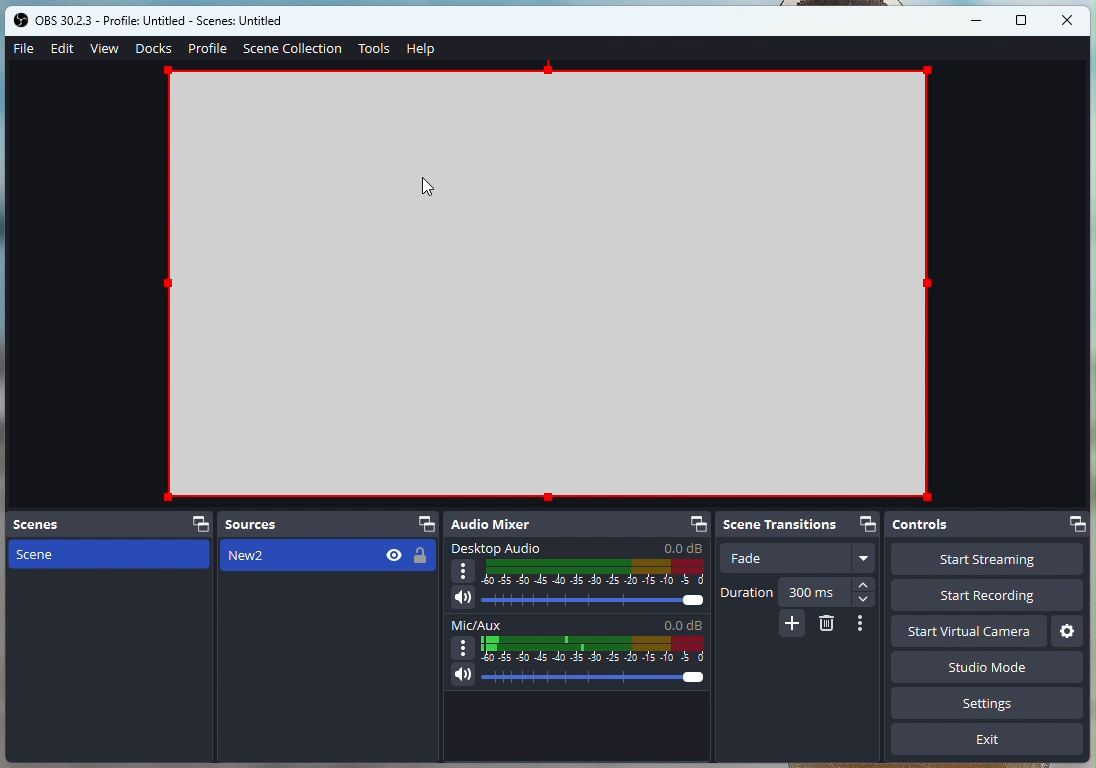 The height and width of the screenshot is (768, 1096). What do you see at coordinates (153, 48) in the screenshot?
I see `Docs` at bounding box center [153, 48].